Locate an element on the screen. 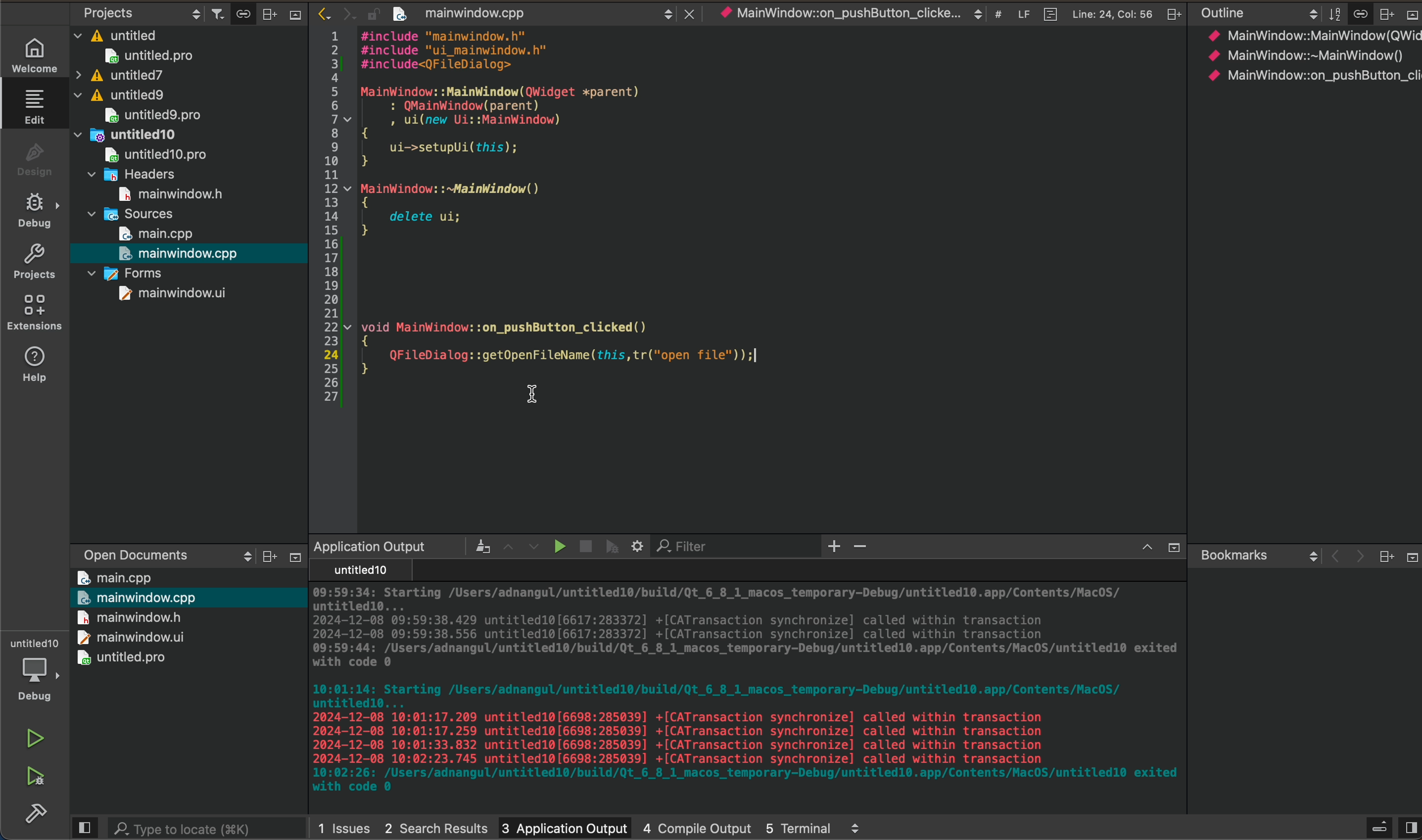  home is located at coordinates (31, 54).